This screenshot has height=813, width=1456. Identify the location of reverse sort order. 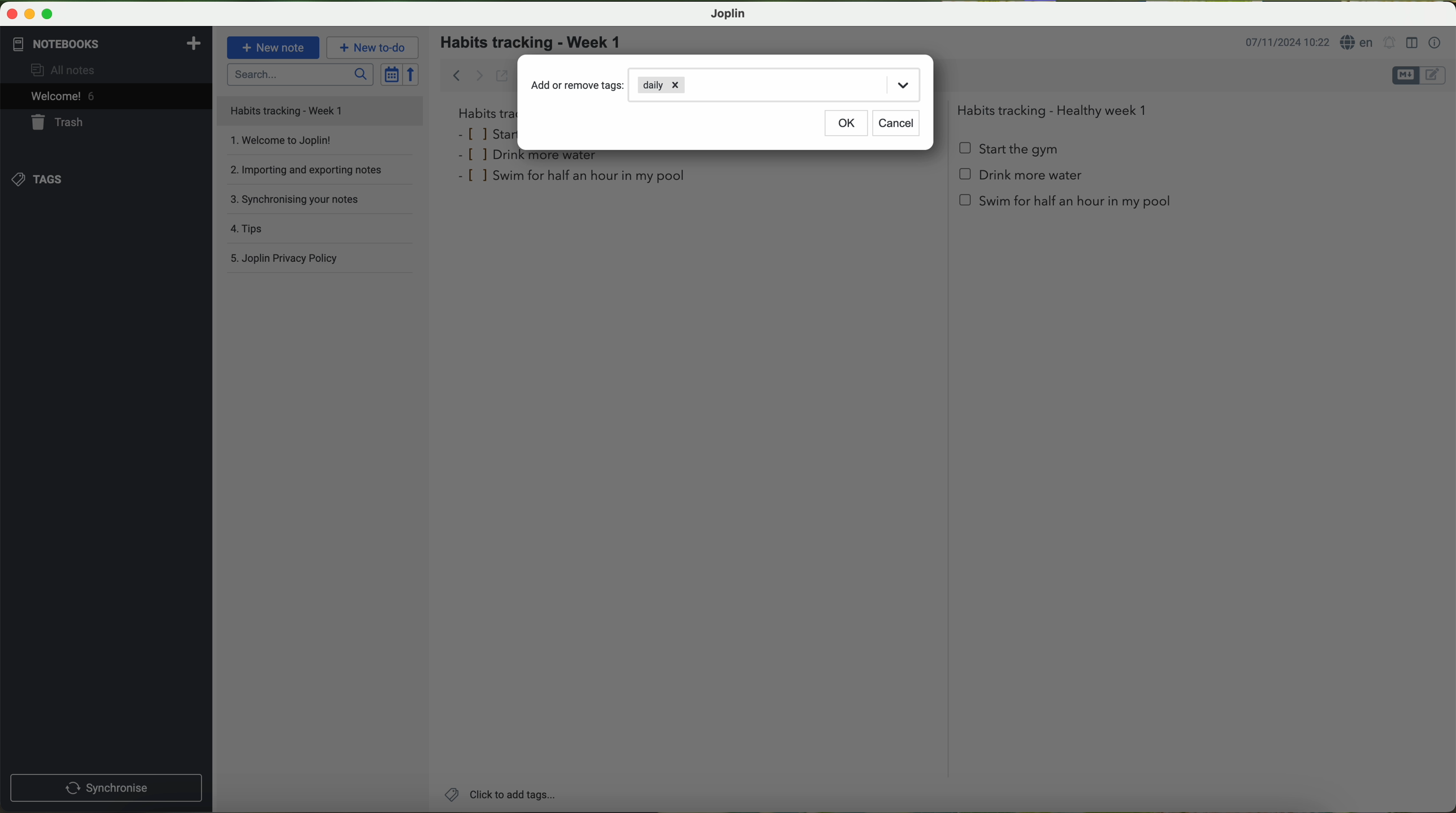
(412, 74).